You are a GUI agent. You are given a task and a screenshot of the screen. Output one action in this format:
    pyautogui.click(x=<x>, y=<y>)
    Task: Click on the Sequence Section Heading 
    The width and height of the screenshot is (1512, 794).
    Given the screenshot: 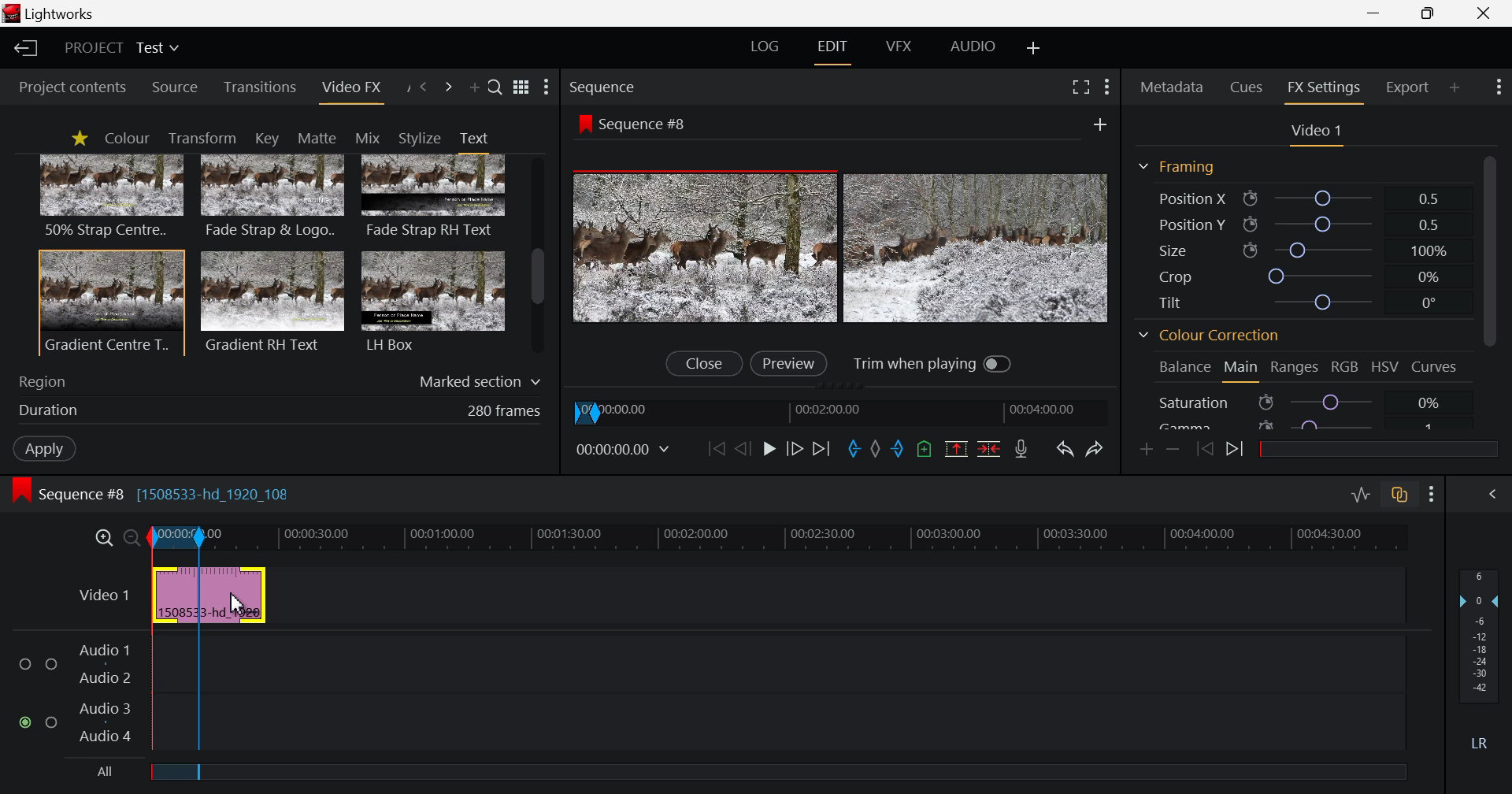 What is the action you would take?
    pyautogui.click(x=668, y=86)
    